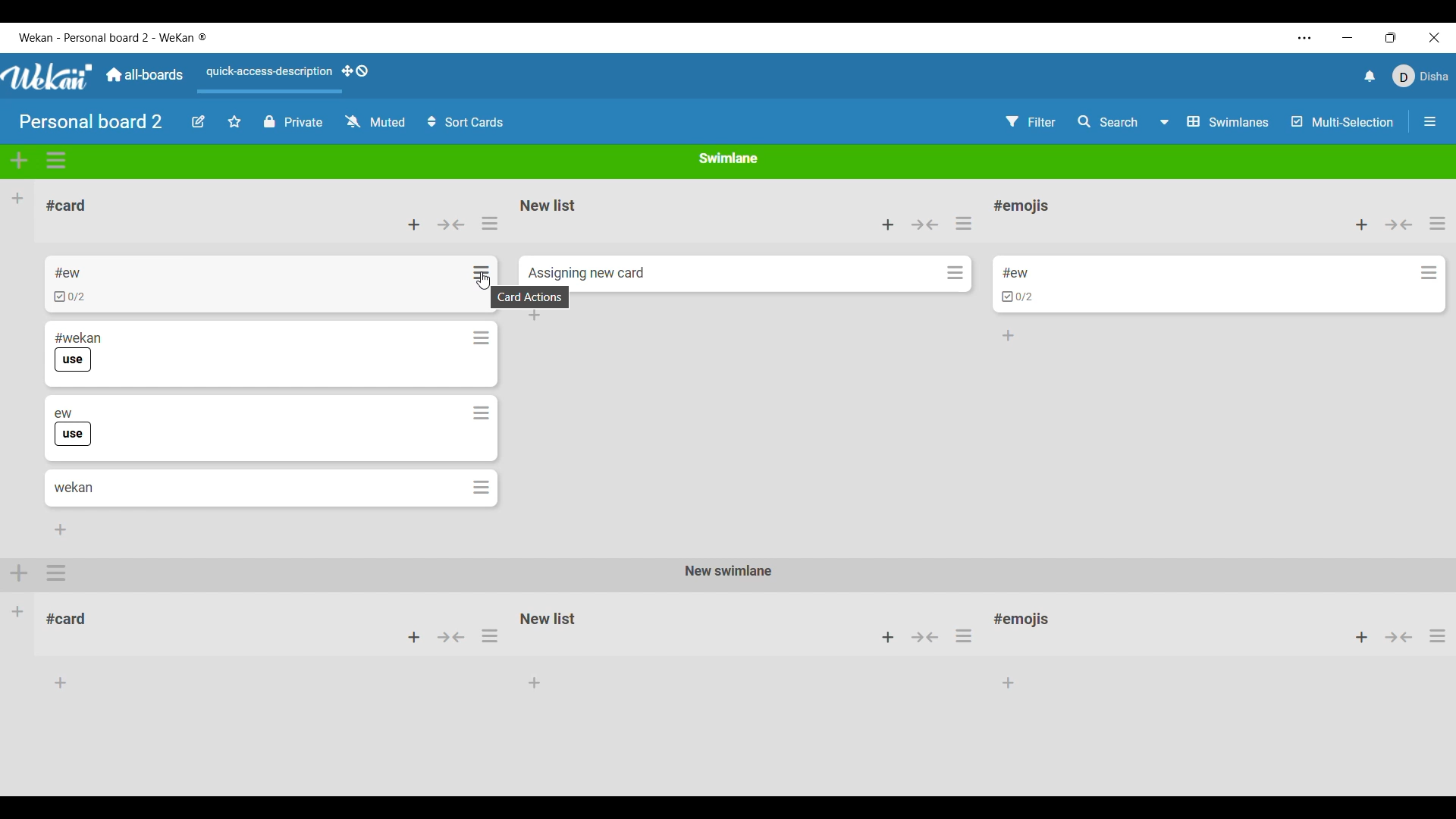 Image resolution: width=1456 pixels, height=819 pixels. Describe the element at coordinates (888, 224) in the screenshot. I see `Add card to top of list` at that location.